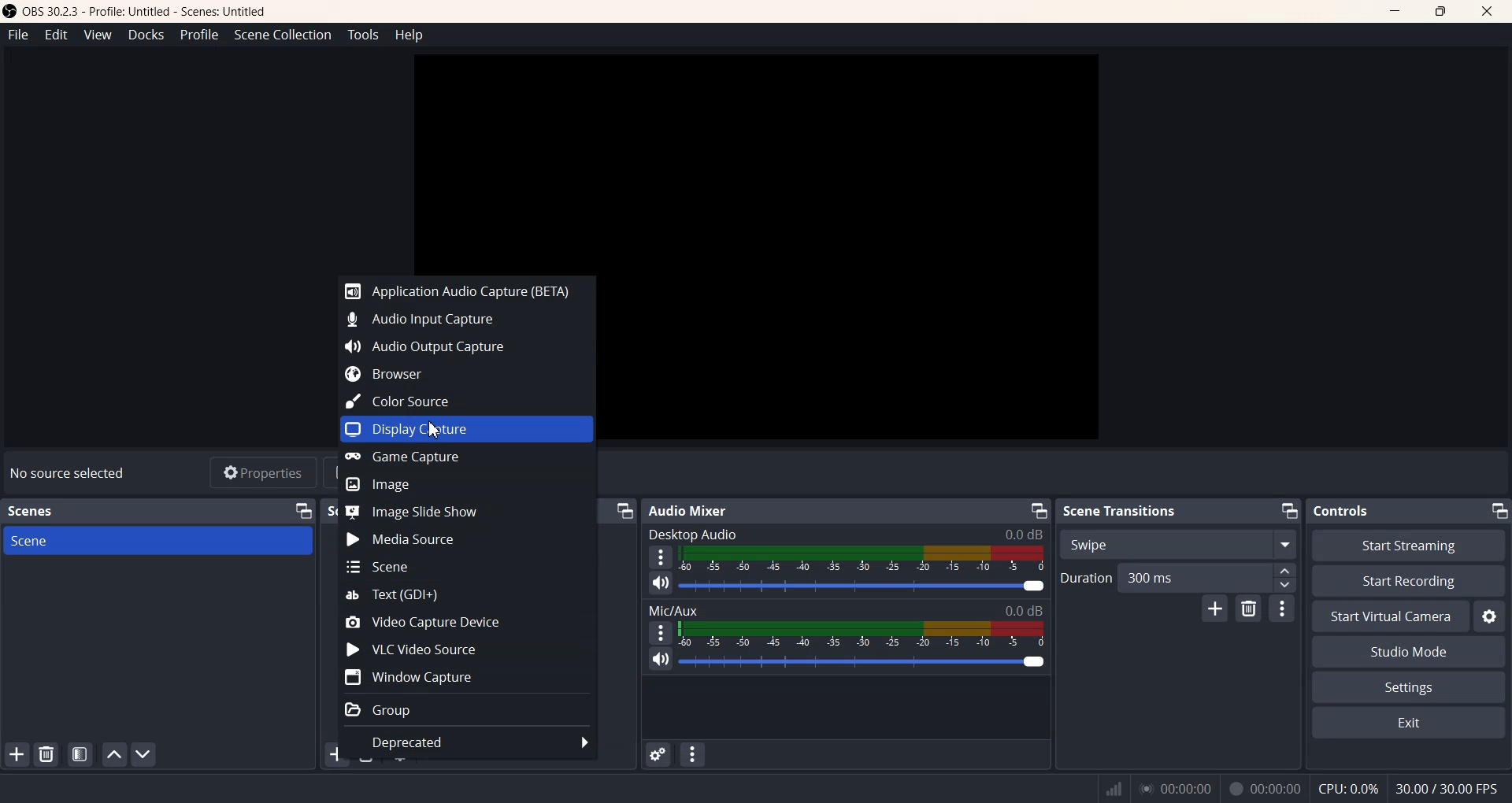 This screenshot has height=803, width=1512. What do you see at coordinates (1177, 788) in the screenshot?
I see `00.00.00` at bounding box center [1177, 788].